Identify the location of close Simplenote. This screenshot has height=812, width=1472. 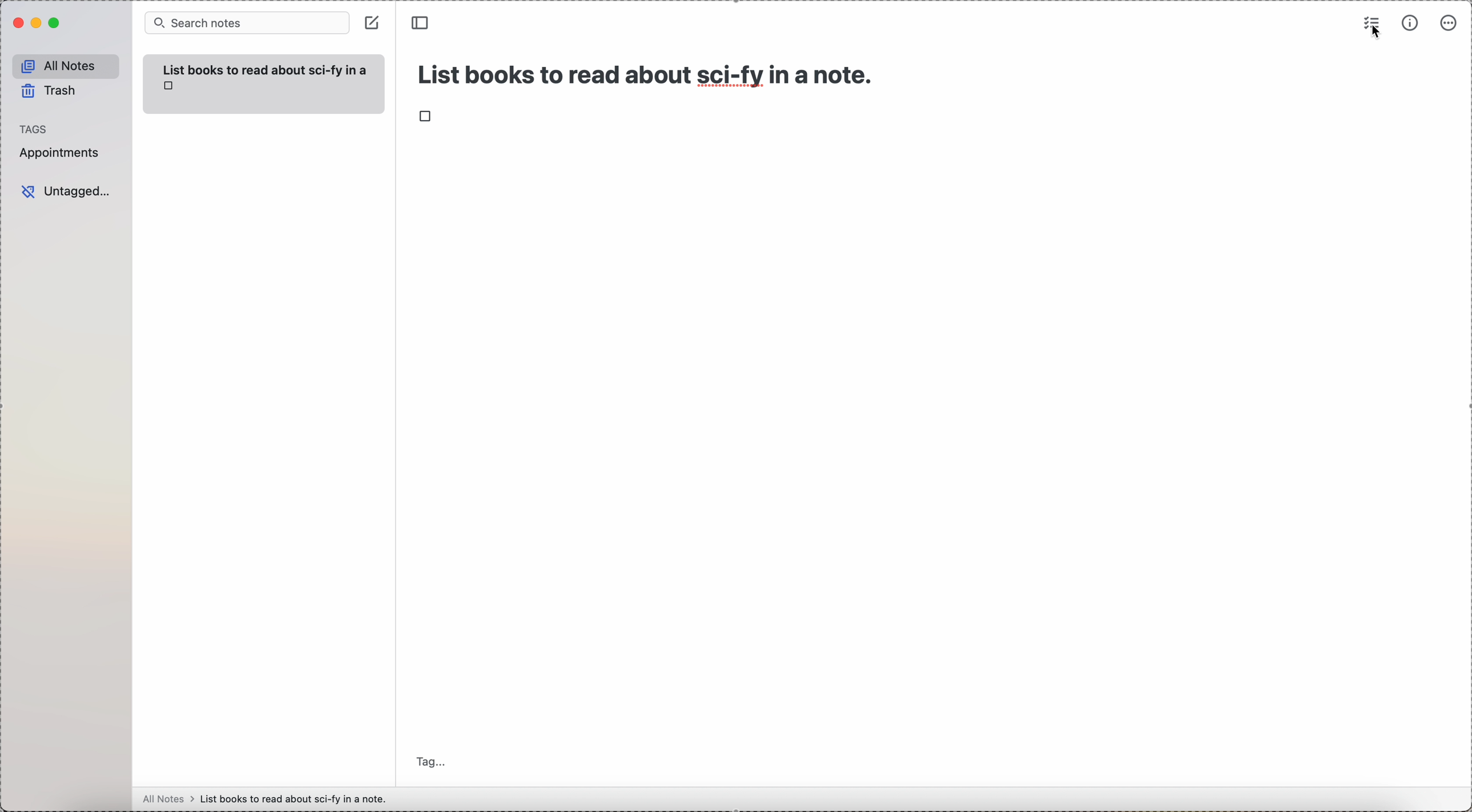
(16, 23).